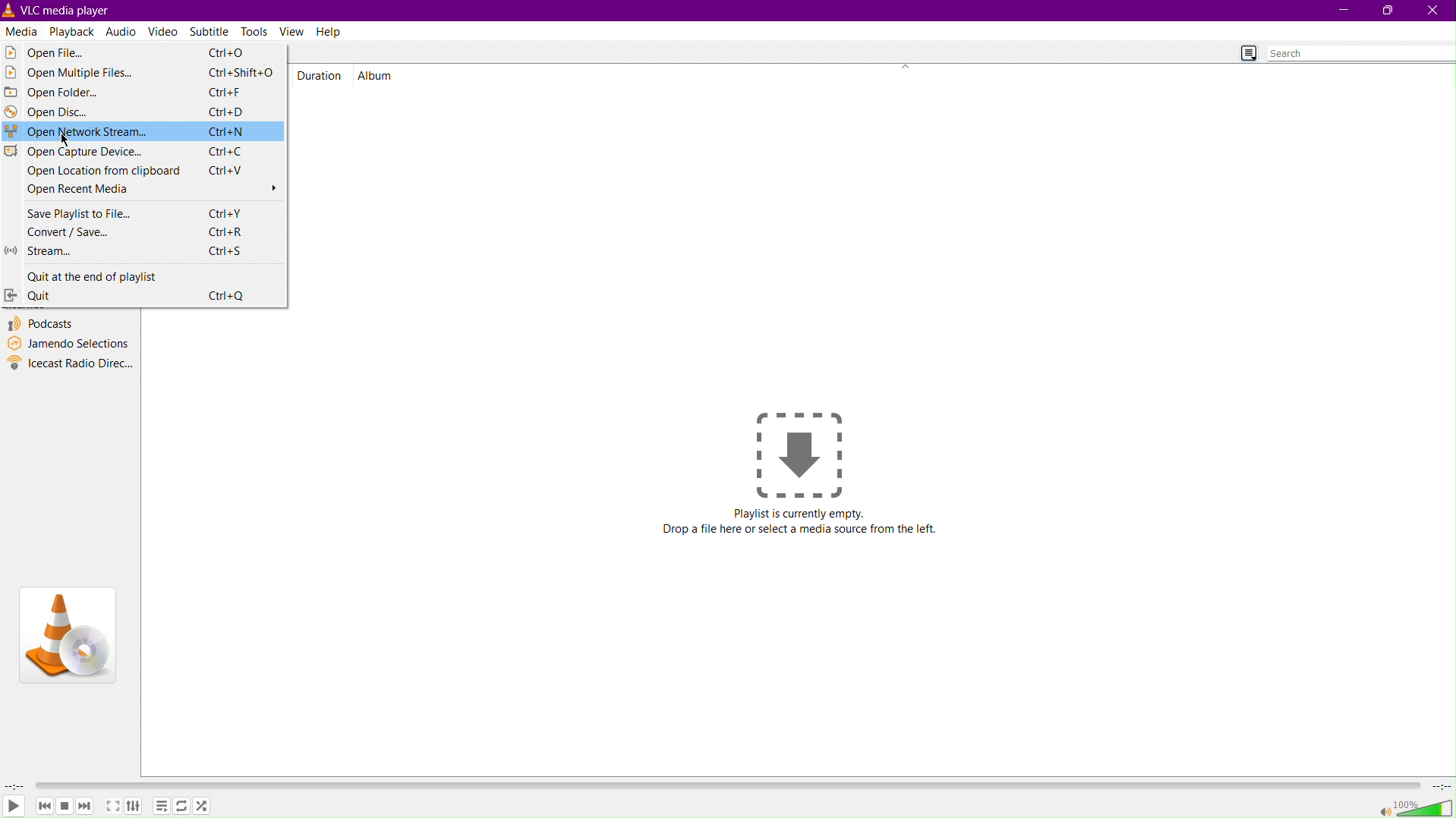 Image resolution: width=1456 pixels, height=818 pixels. Describe the element at coordinates (135, 806) in the screenshot. I see `Extended settings` at that location.